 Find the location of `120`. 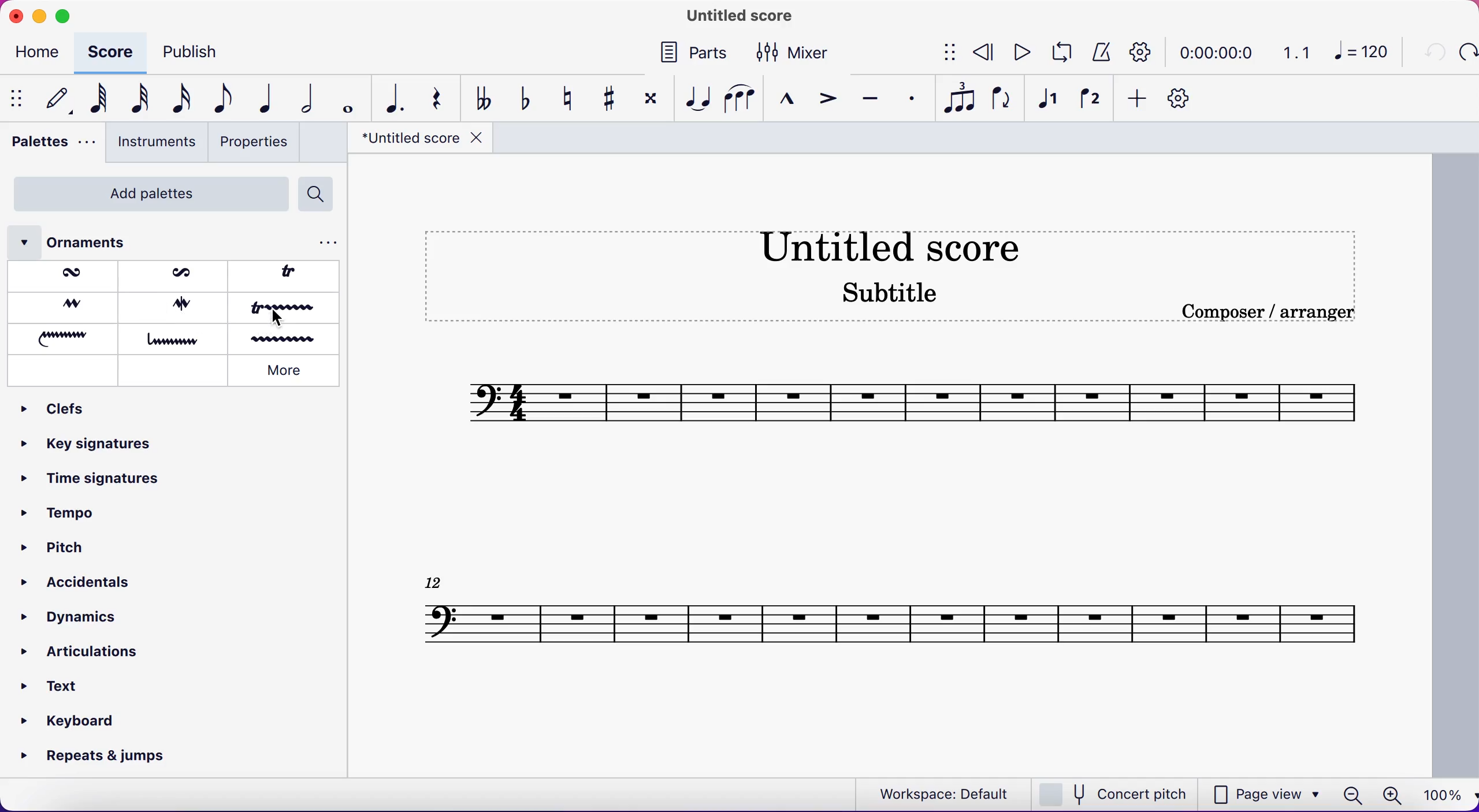

120 is located at coordinates (1365, 54).